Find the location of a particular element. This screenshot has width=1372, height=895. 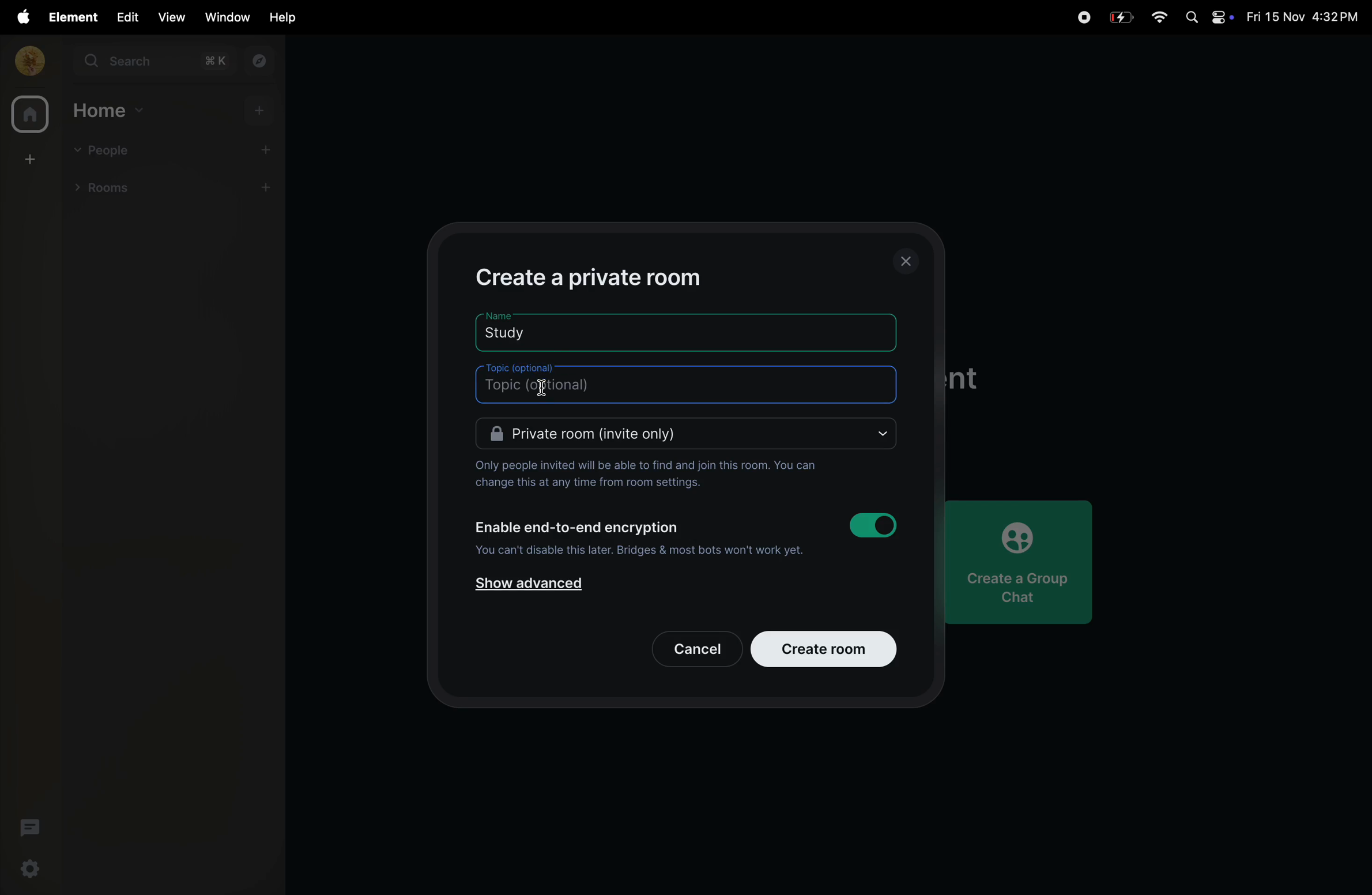

show advanced is located at coordinates (531, 587).